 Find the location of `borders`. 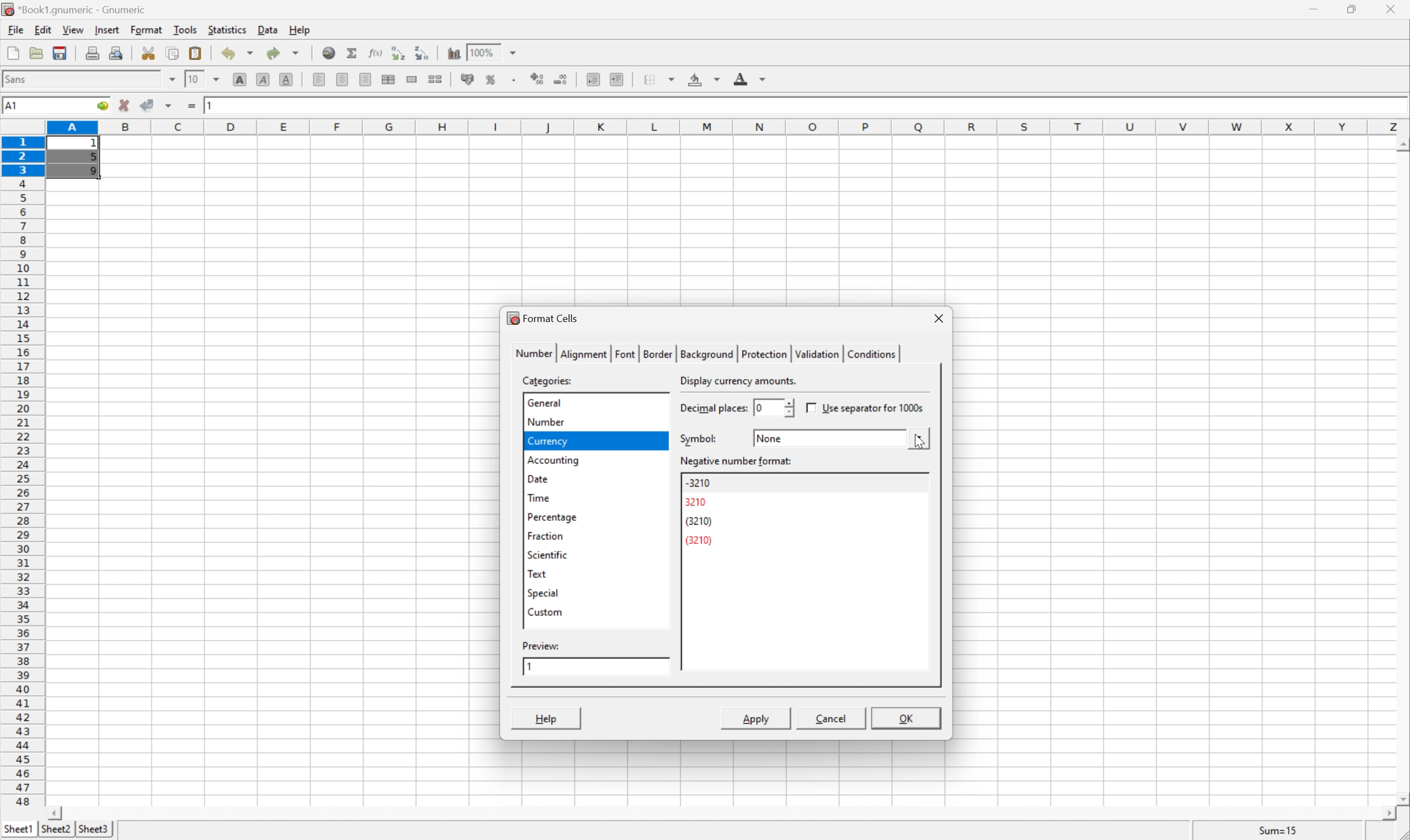

borders is located at coordinates (657, 79).